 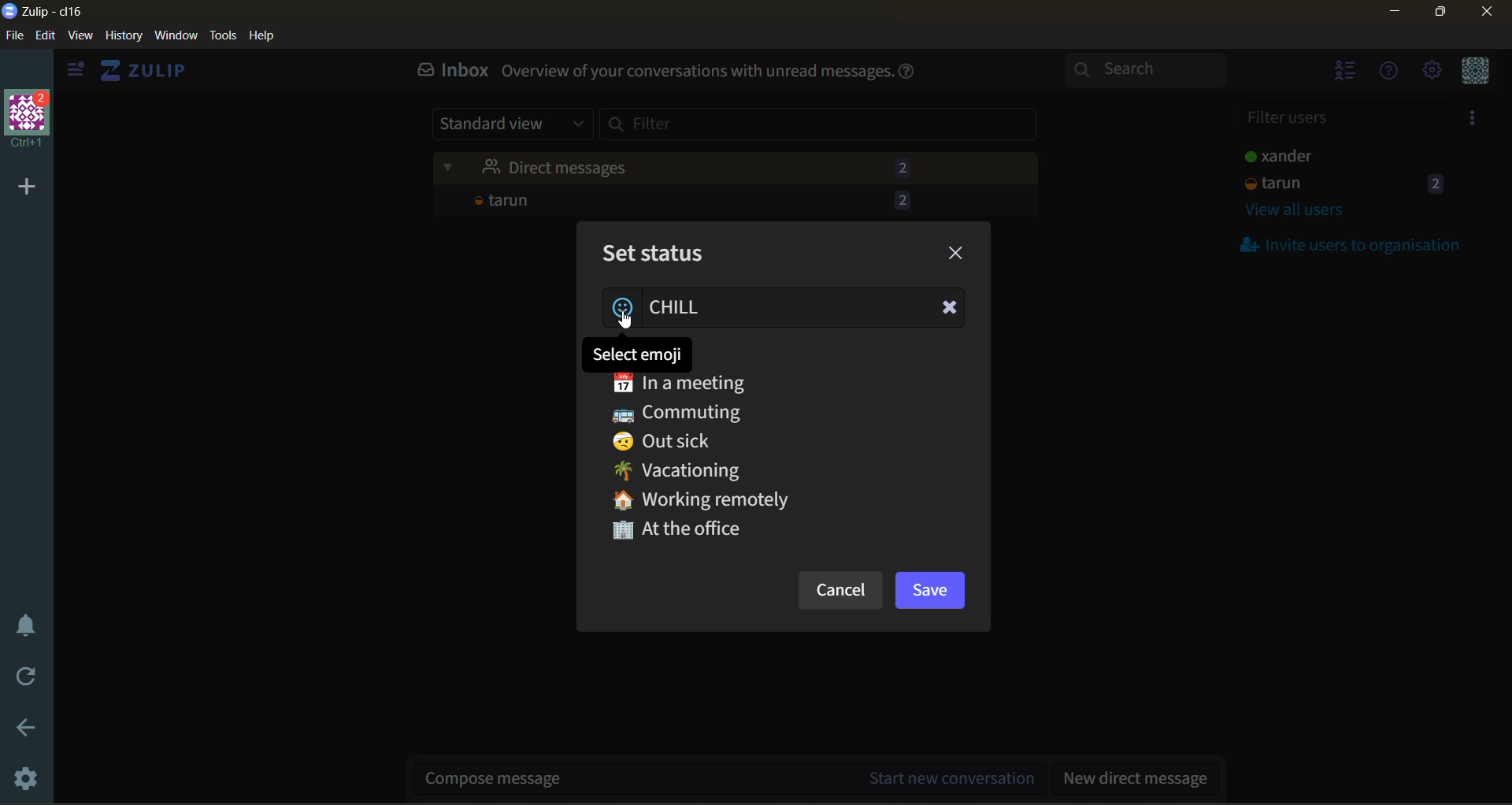 I want to click on filter users, so click(x=1343, y=118).